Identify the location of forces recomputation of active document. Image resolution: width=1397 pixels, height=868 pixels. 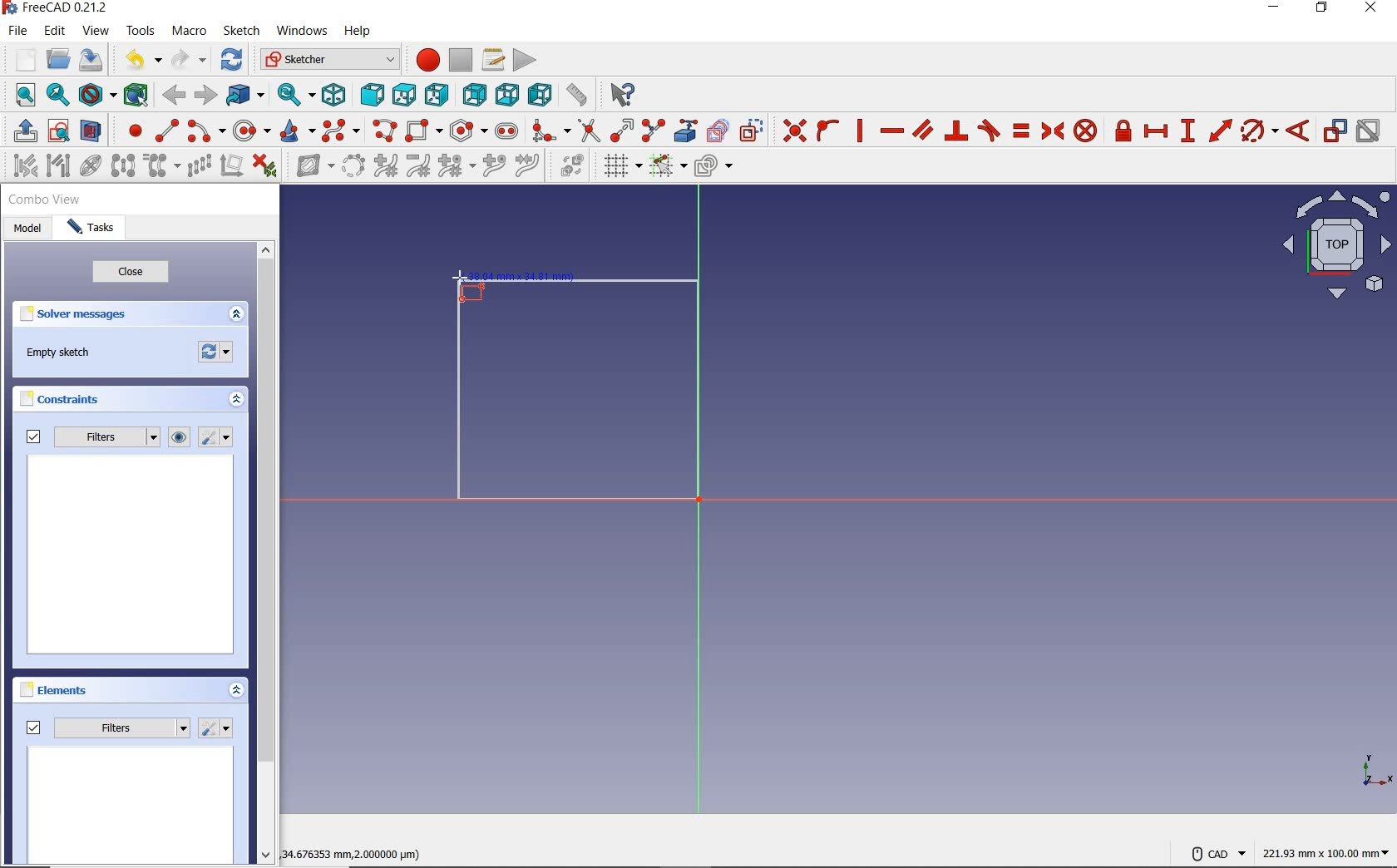
(217, 355).